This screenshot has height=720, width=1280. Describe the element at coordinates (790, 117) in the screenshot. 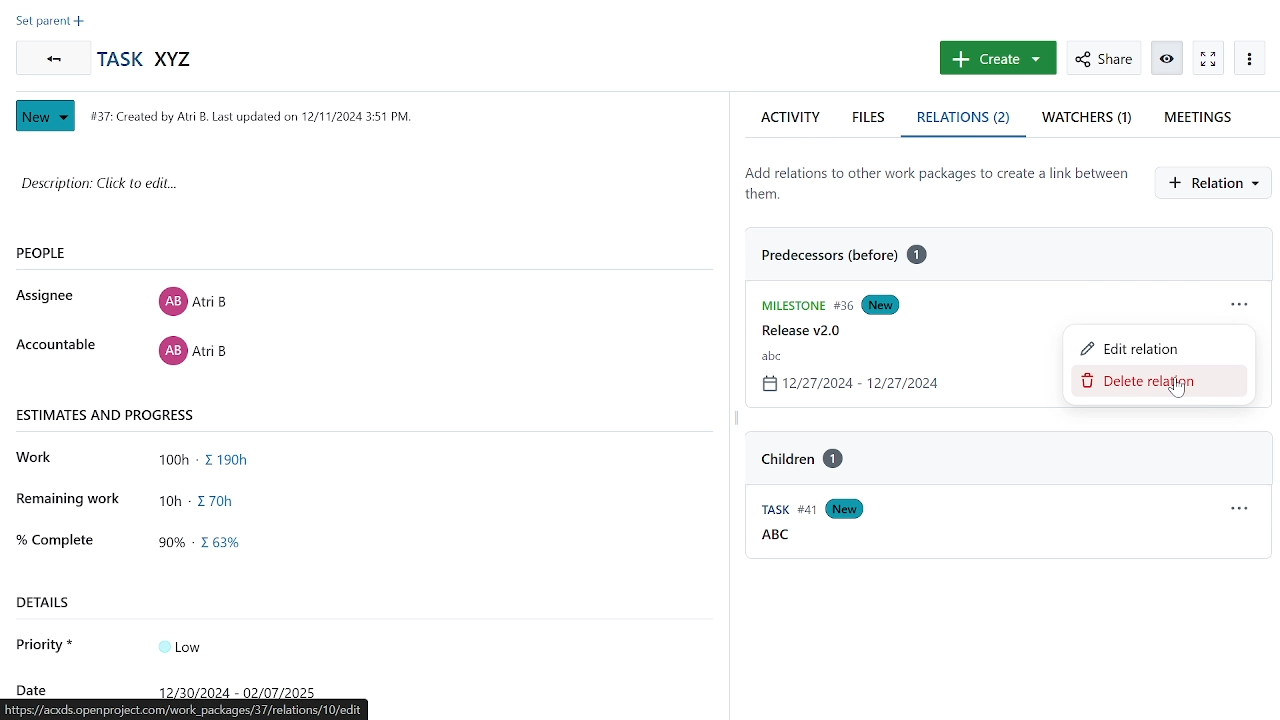

I see `activity` at that location.